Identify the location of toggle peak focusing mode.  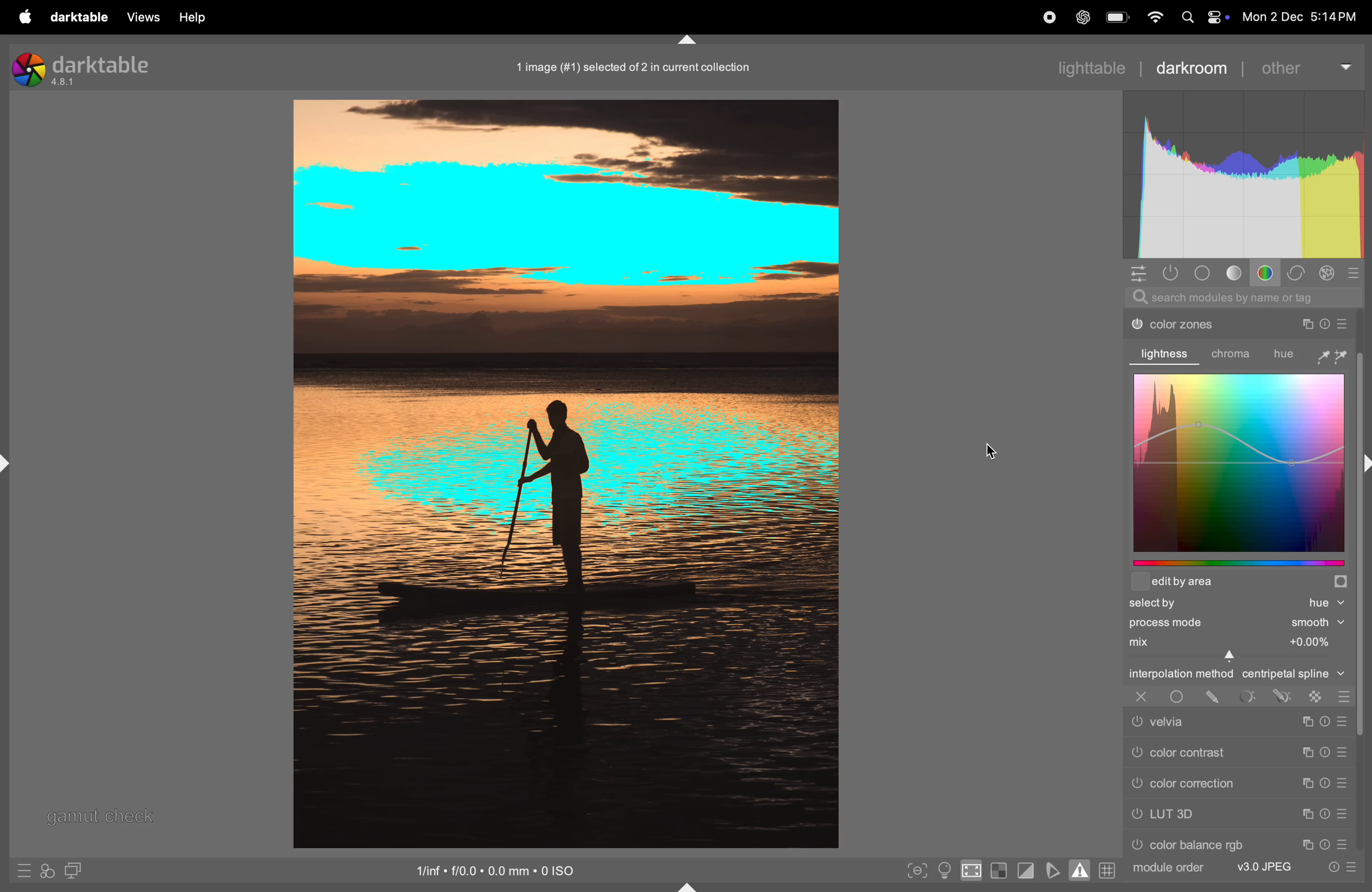
(915, 870).